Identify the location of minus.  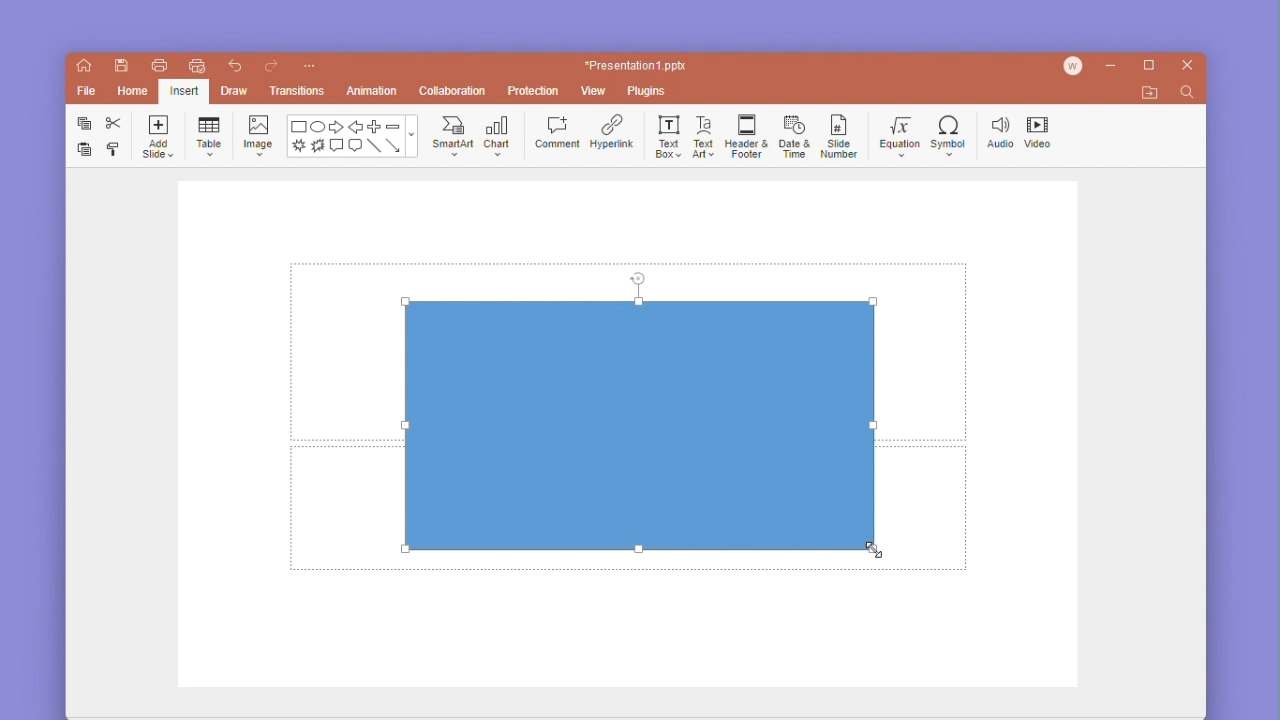
(393, 125).